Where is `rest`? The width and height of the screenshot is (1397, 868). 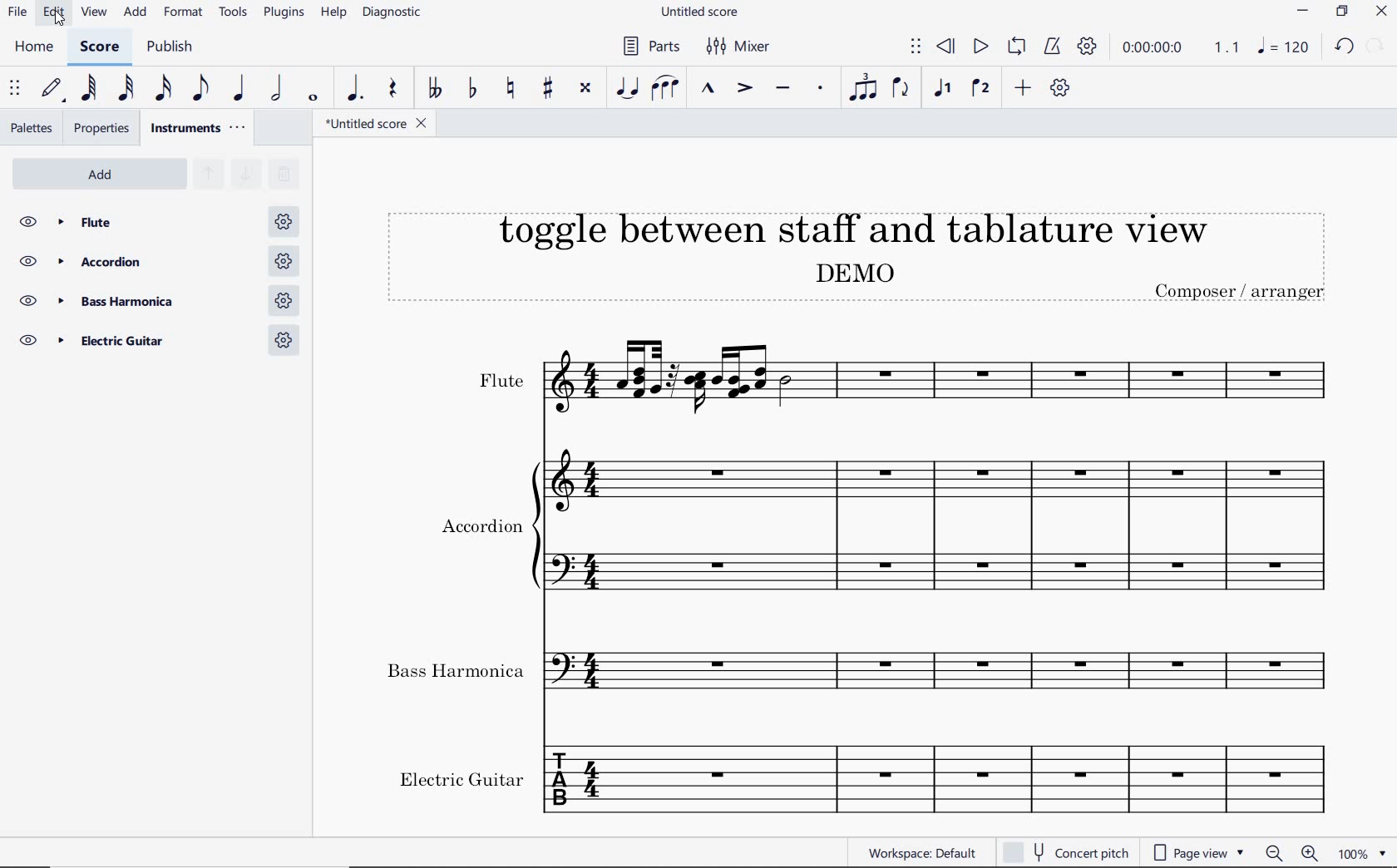
rest is located at coordinates (391, 89).